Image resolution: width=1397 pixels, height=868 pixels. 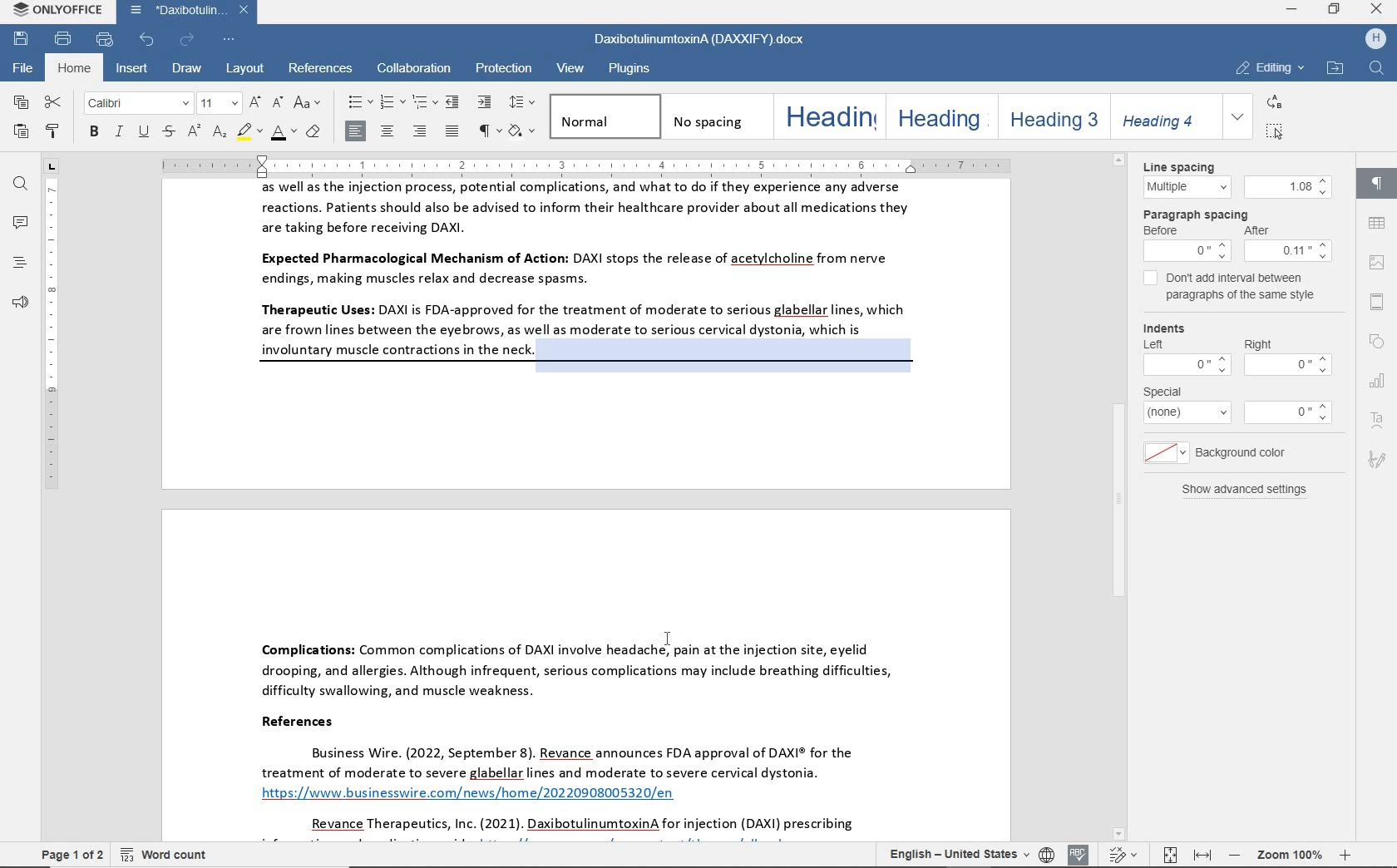 I want to click on highlight color, so click(x=250, y=133).